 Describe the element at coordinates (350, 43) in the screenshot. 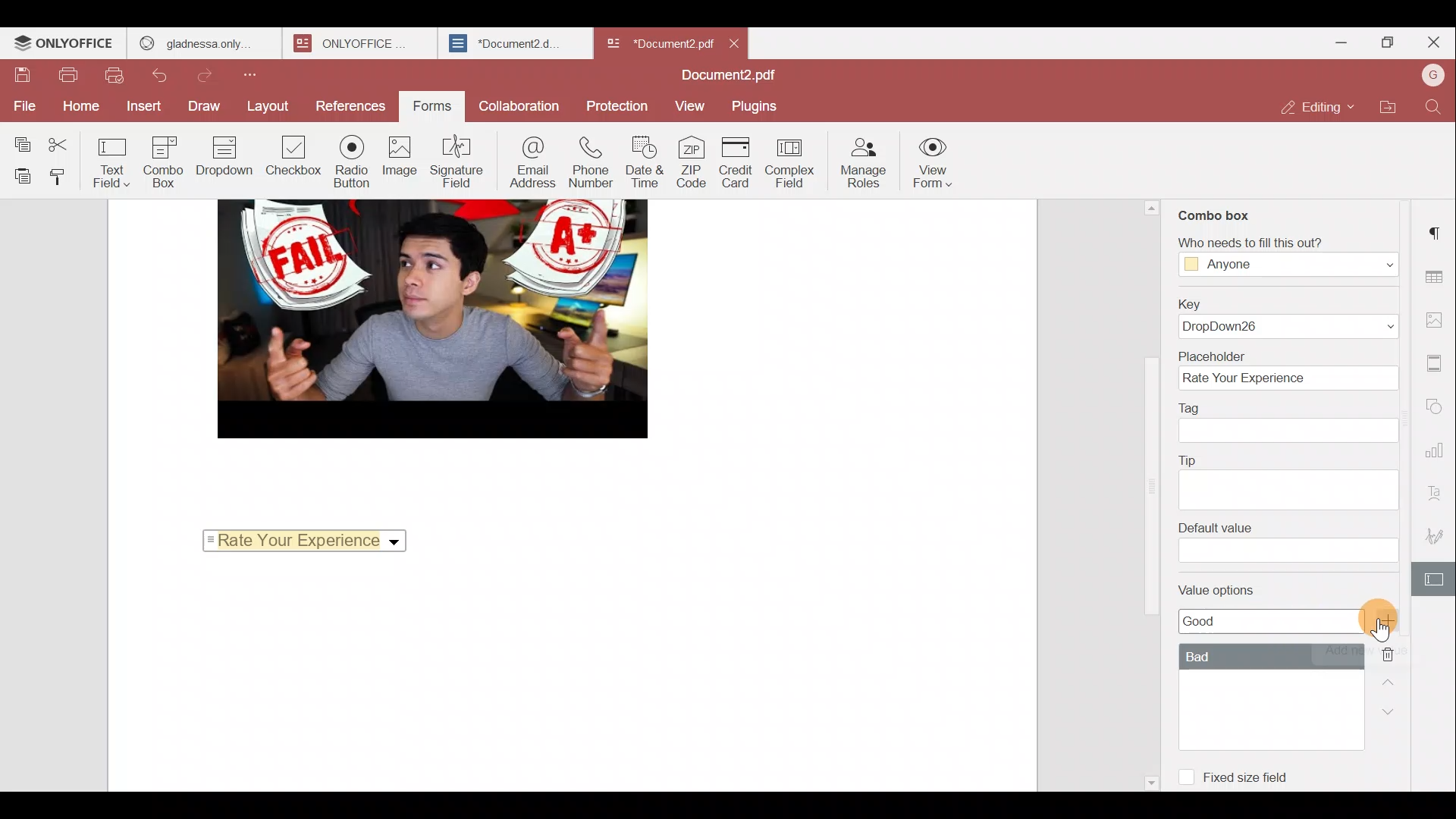

I see `ONLYOFFICE` at that location.